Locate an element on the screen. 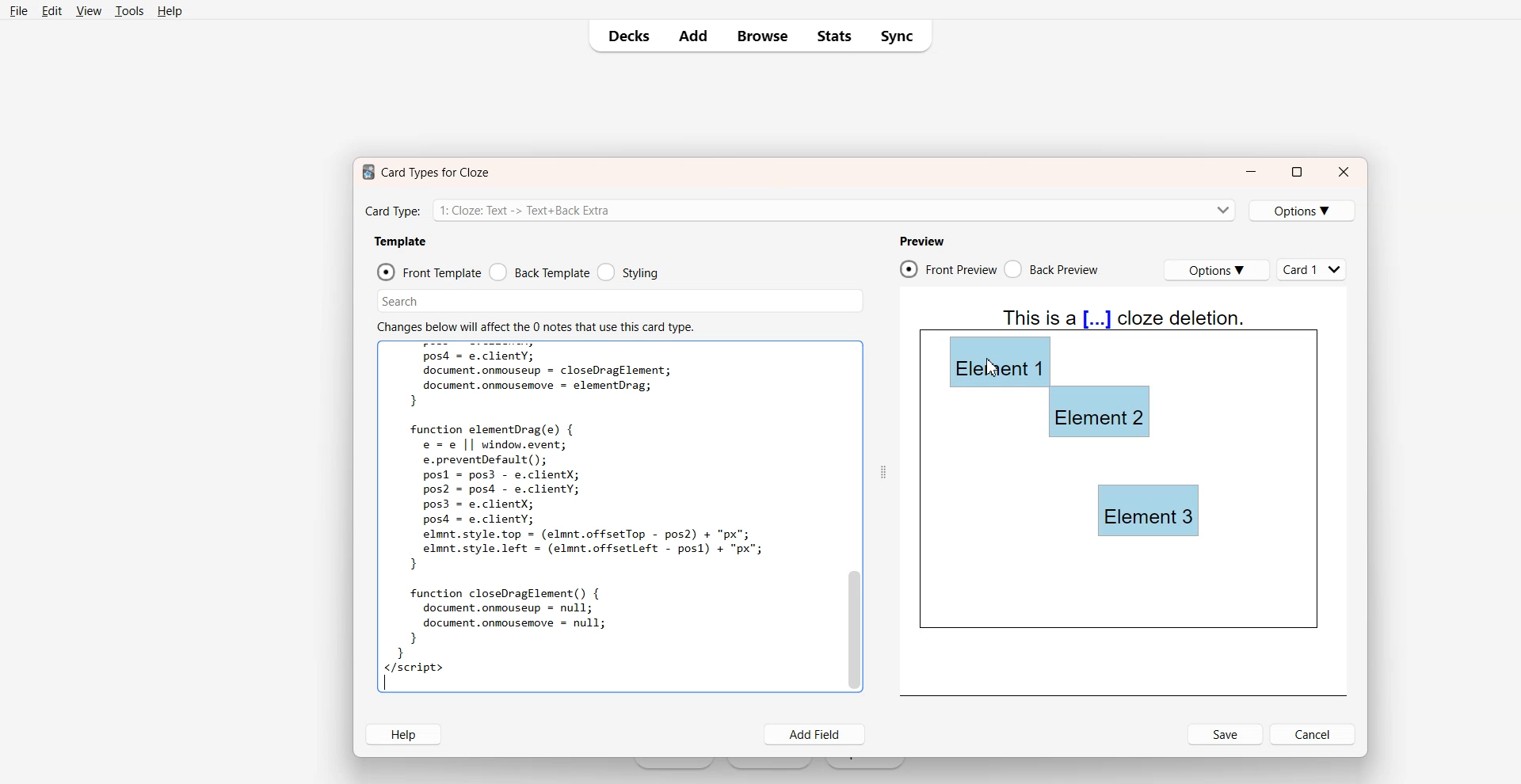  Back Preview is located at coordinates (1054, 269).